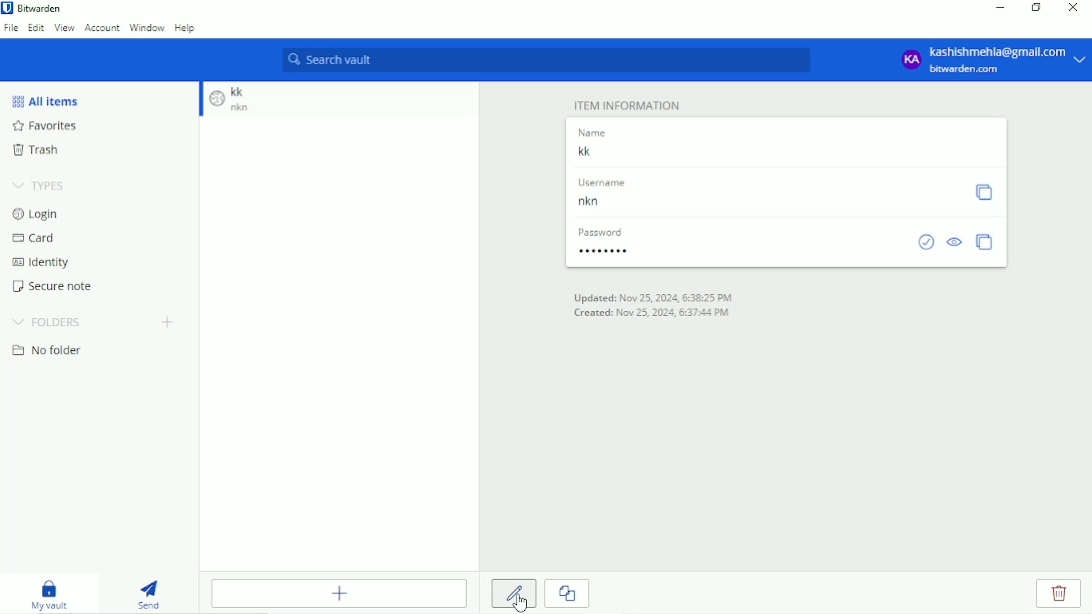  Describe the element at coordinates (55, 287) in the screenshot. I see `Secure note` at that location.